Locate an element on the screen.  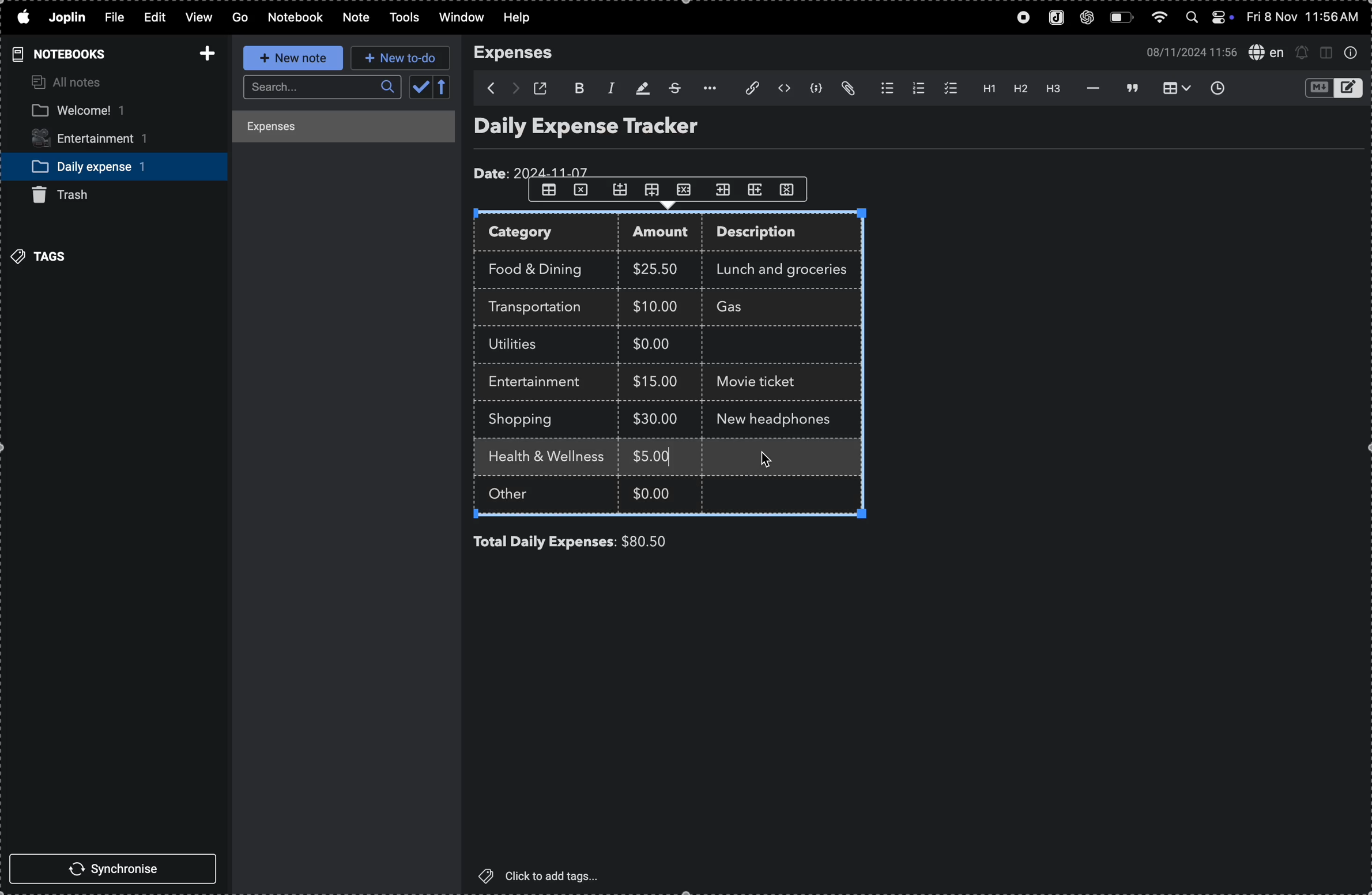
record is located at coordinates (1019, 18).